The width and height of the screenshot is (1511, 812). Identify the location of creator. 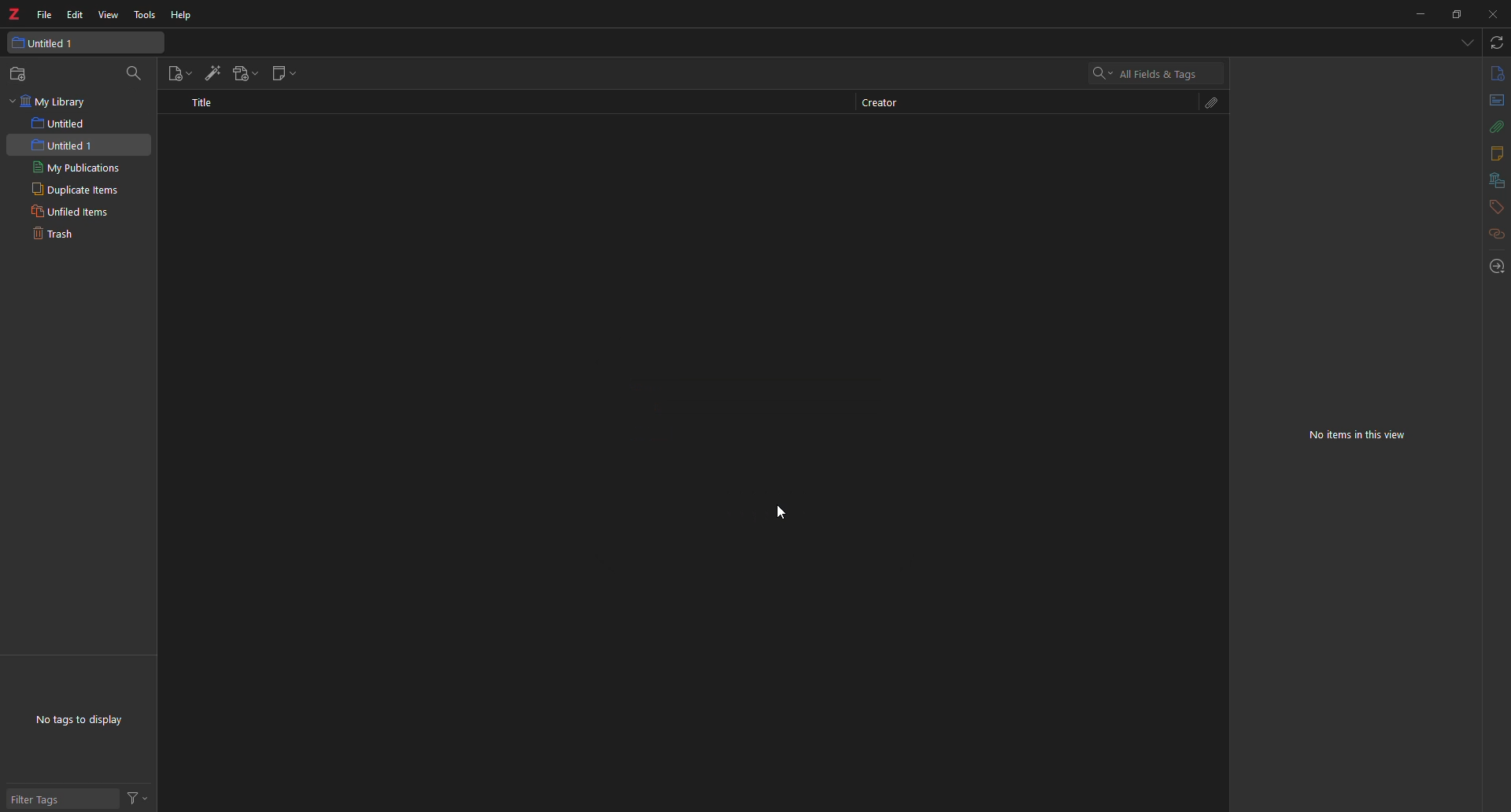
(878, 102).